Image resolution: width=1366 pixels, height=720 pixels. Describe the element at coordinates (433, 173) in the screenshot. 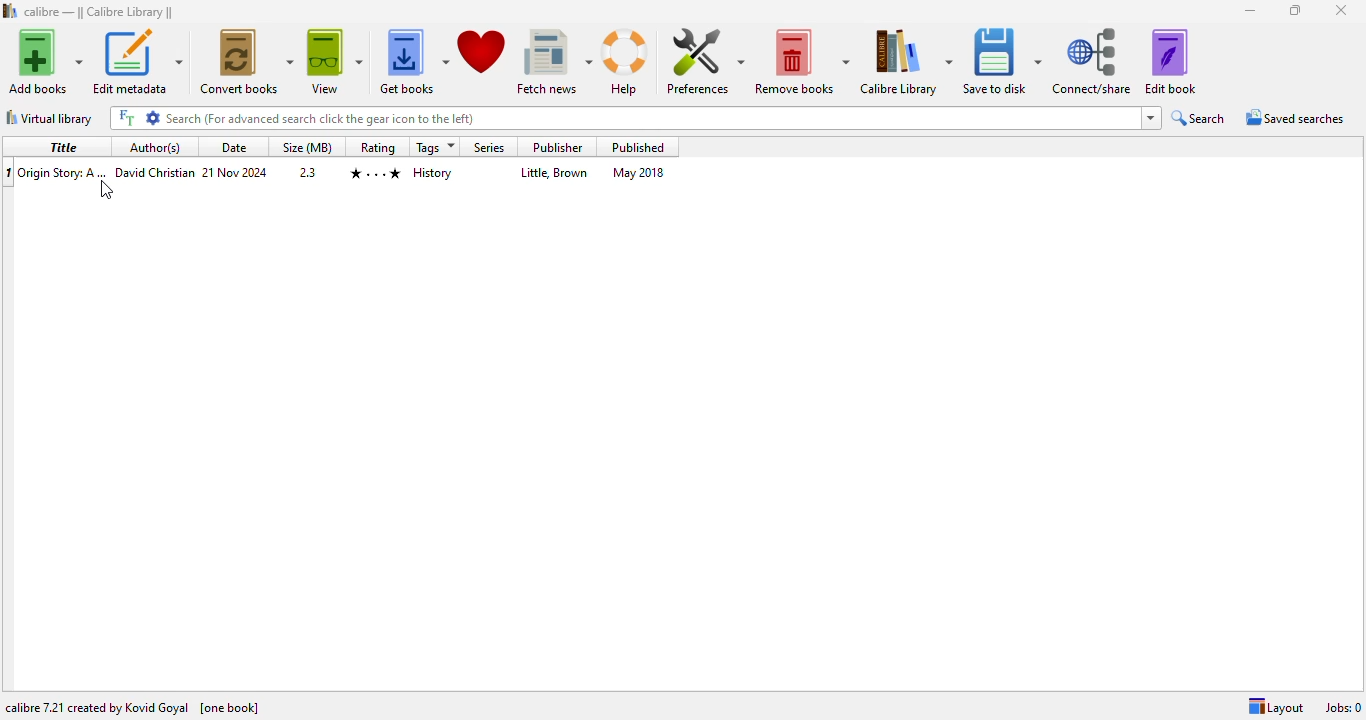

I see `history` at that location.